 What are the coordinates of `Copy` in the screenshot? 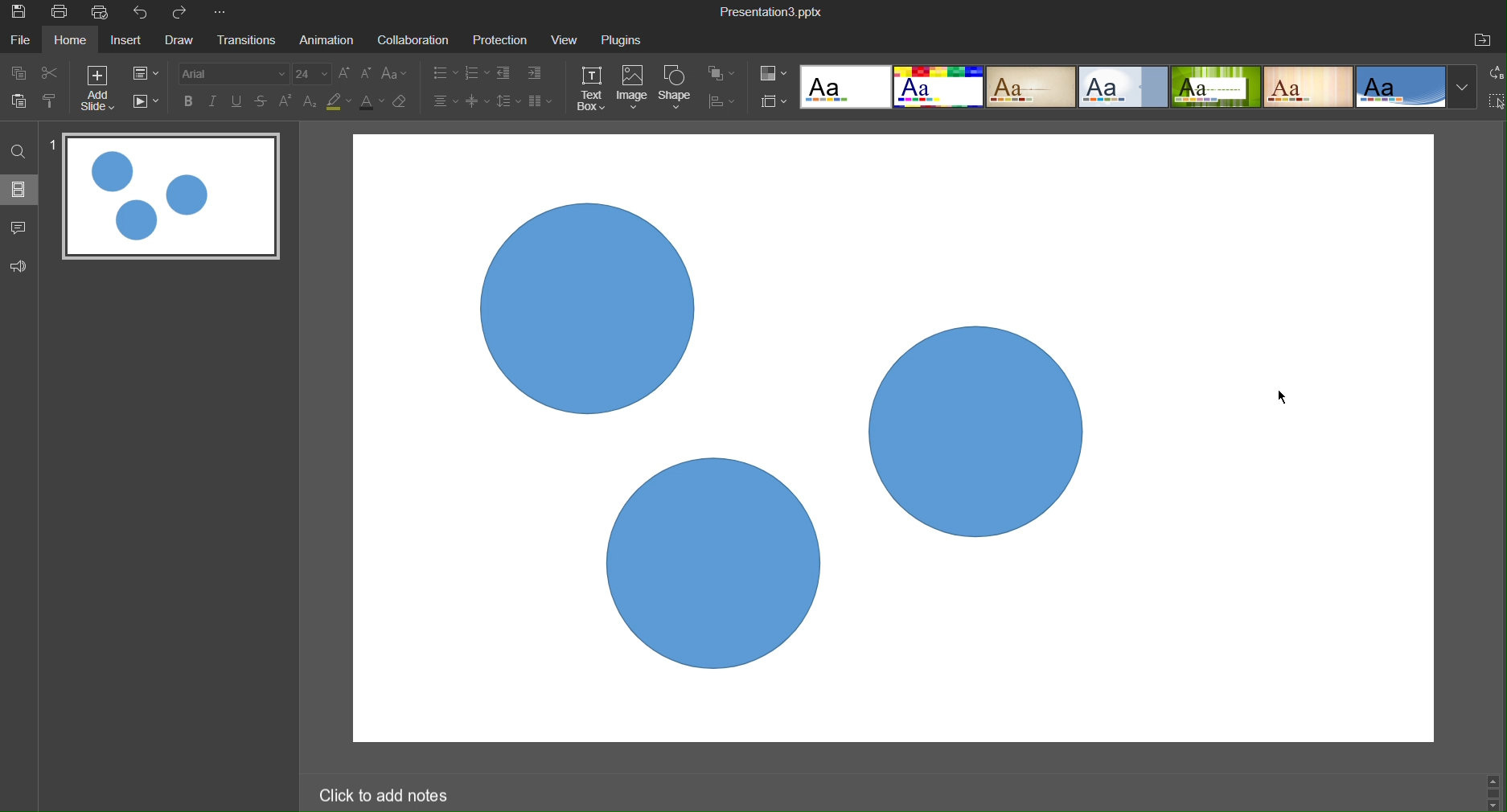 It's located at (18, 75).